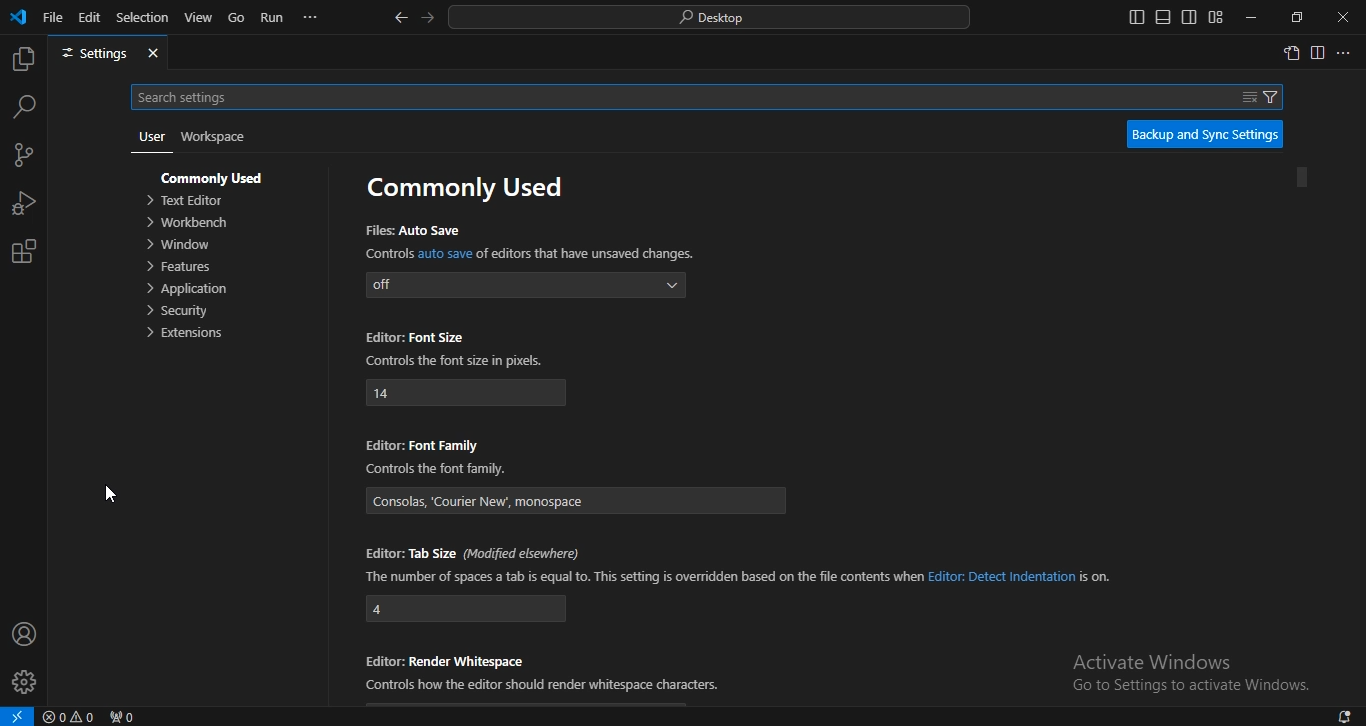 This screenshot has width=1366, height=726. I want to click on explorer, so click(24, 61).